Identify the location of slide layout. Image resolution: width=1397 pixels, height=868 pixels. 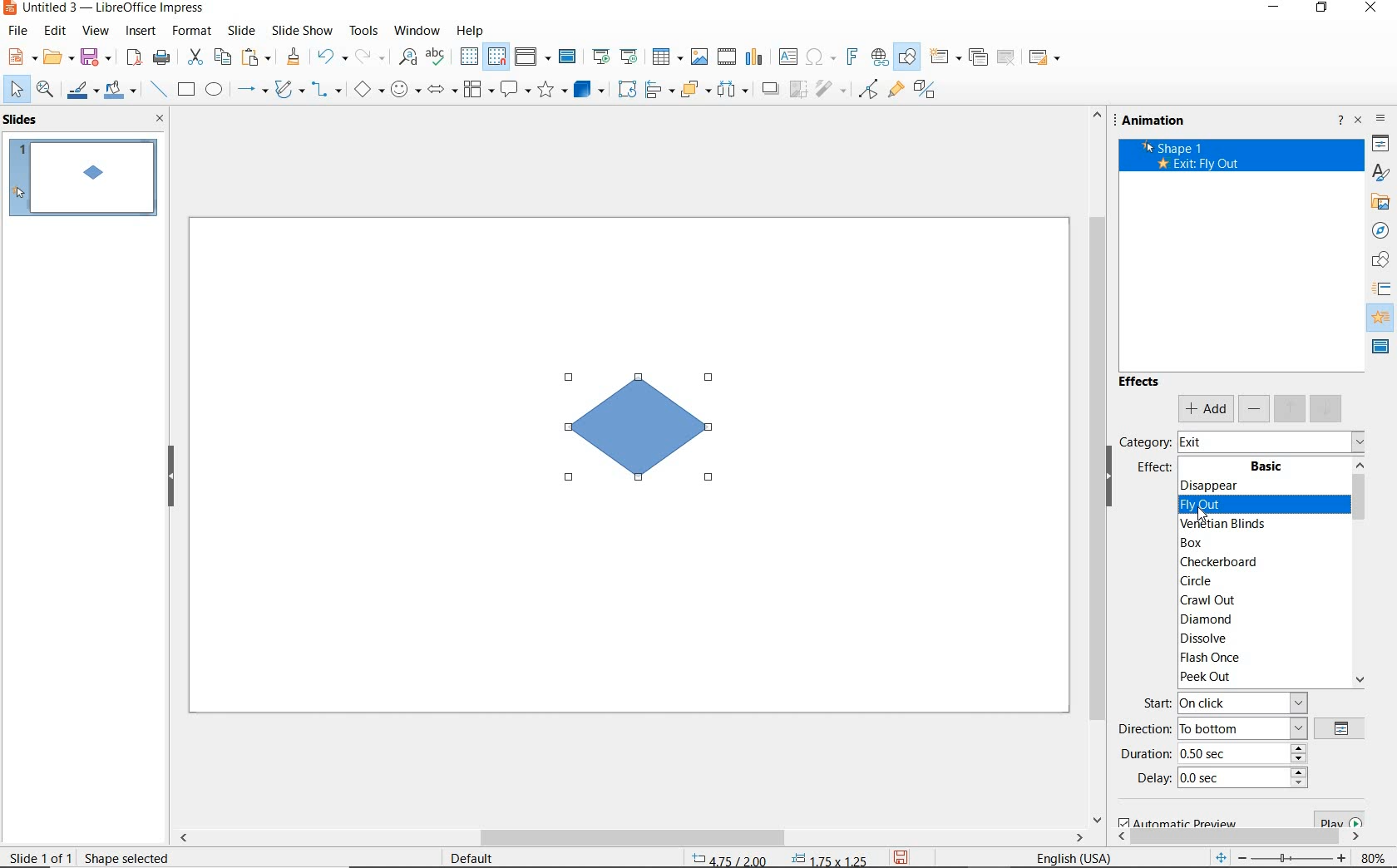
(1044, 57).